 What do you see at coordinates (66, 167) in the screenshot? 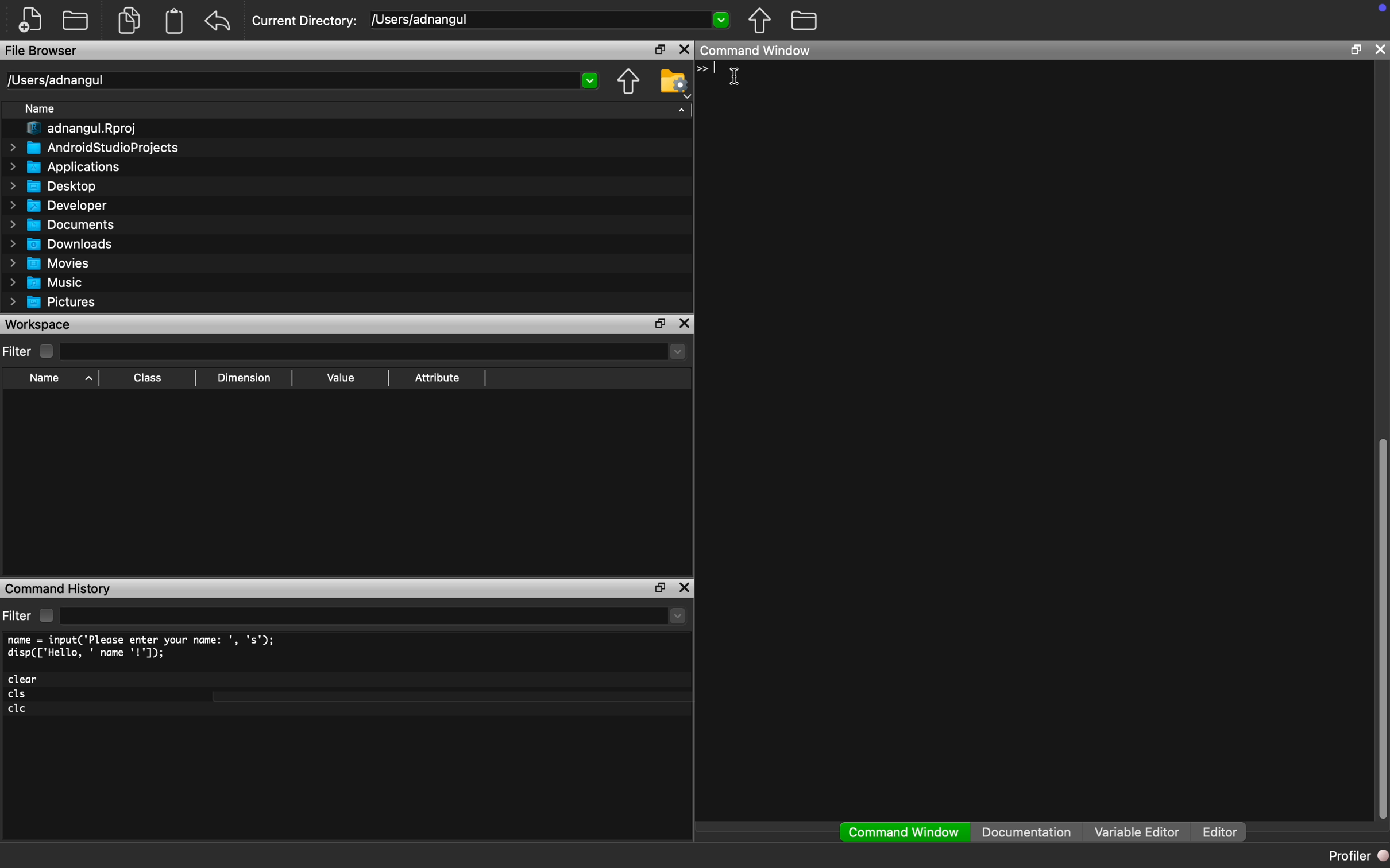
I see `Applications` at bounding box center [66, 167].